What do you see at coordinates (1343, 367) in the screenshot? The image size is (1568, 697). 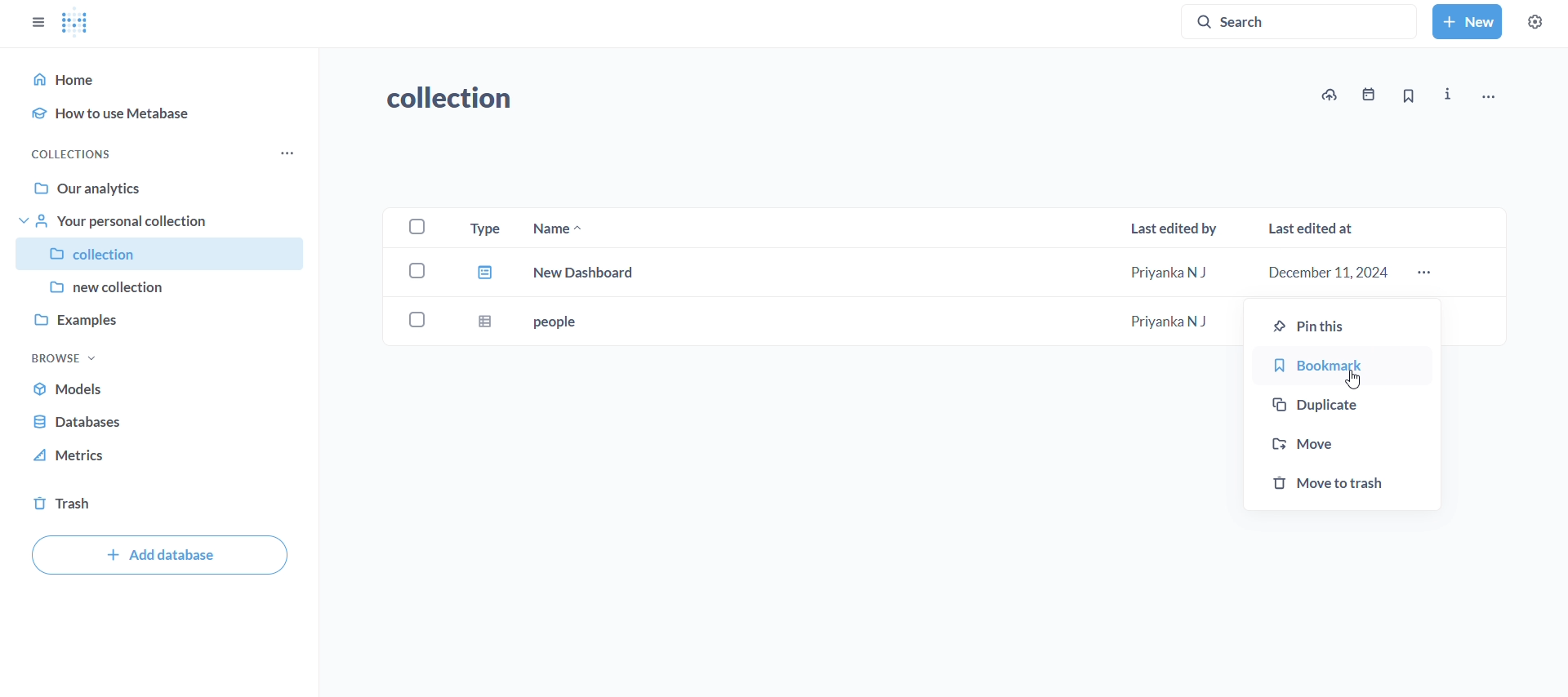 I see `bookmark` at bounding box center [1343, 367].